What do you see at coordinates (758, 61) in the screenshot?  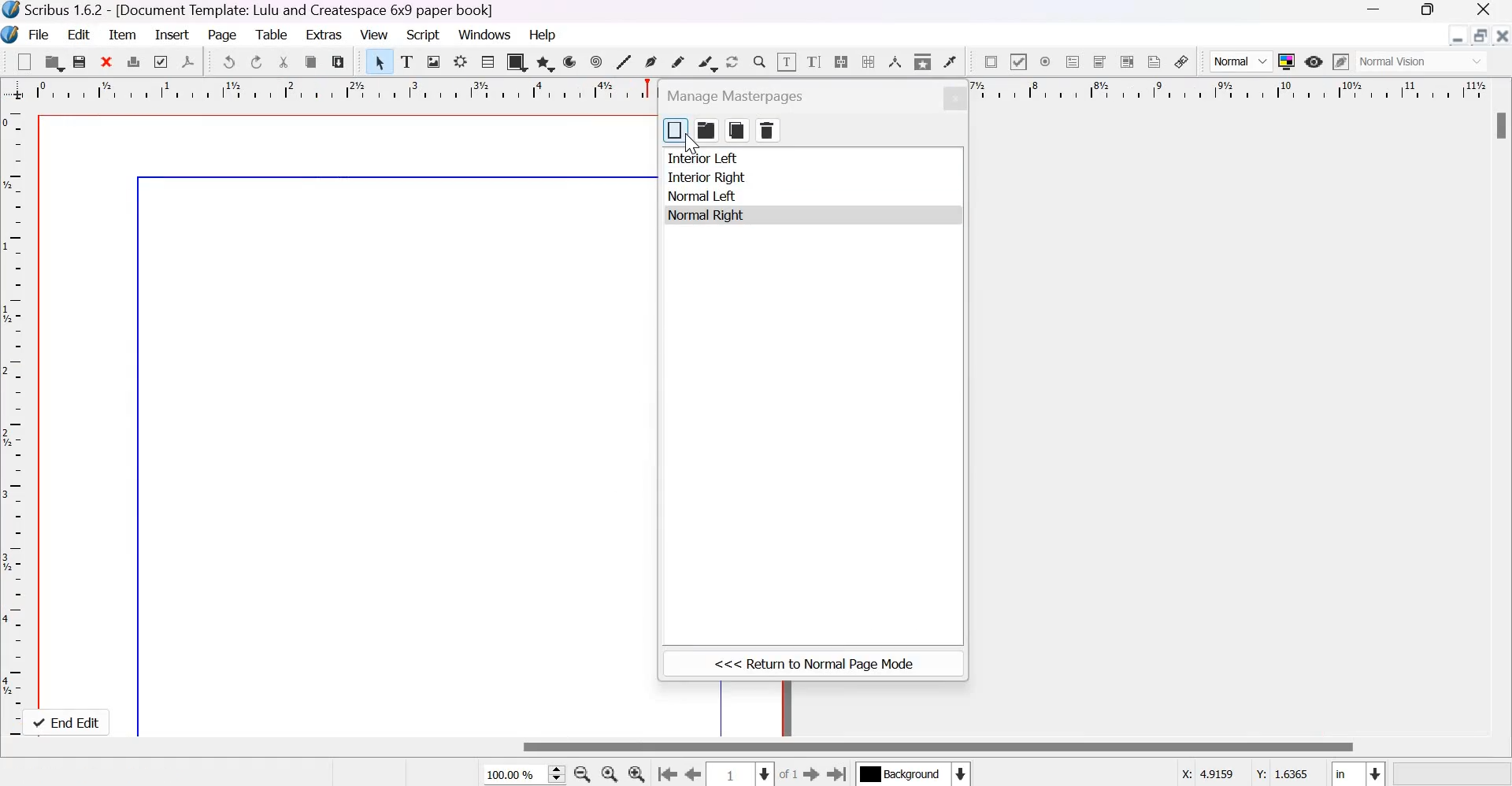 I see `Zoom in or out` at bounding box center [758, 61].